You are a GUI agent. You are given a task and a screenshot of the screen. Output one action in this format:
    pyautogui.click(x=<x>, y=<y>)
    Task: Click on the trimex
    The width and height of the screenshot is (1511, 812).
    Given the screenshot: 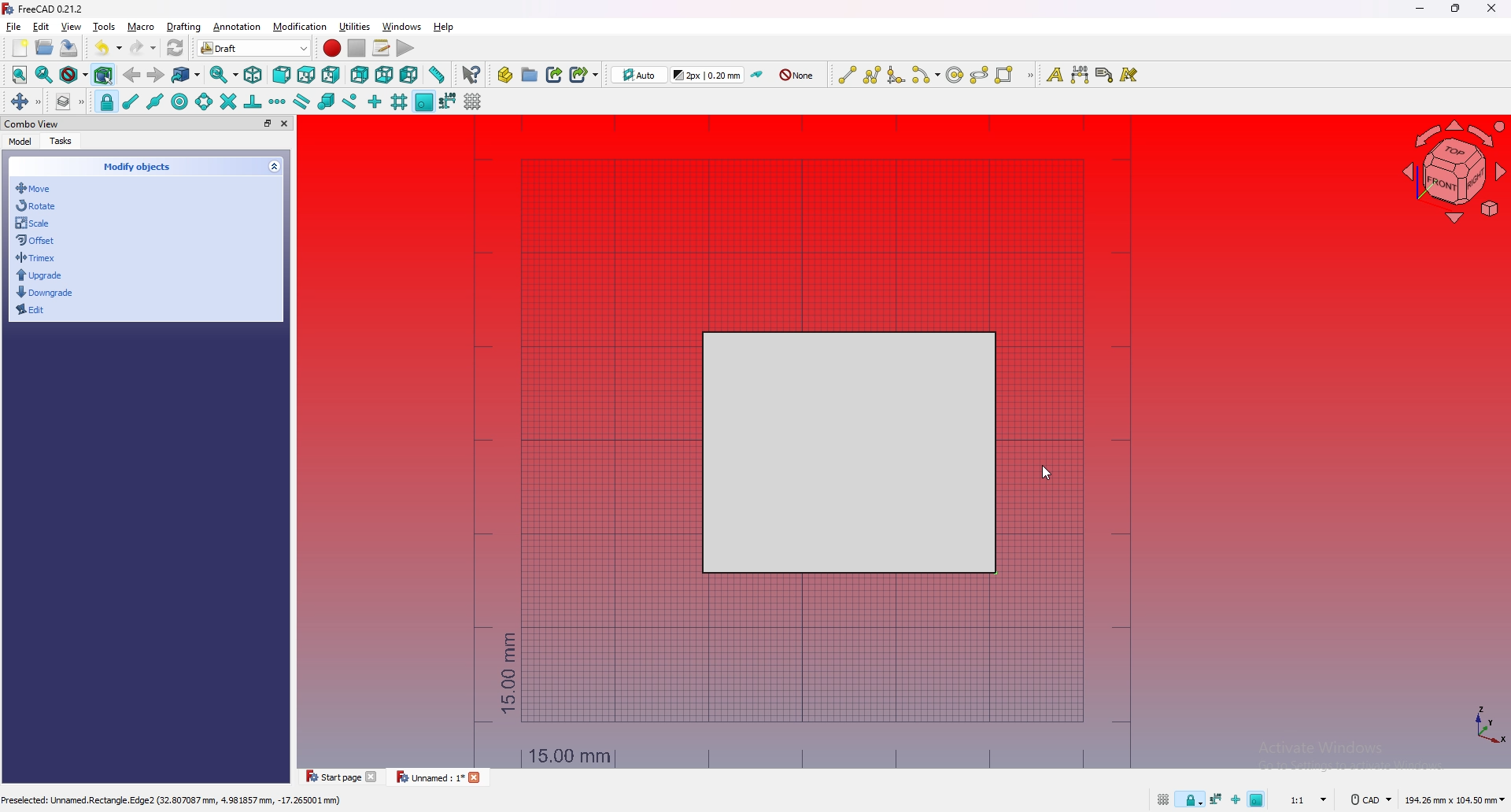 What is the action you would take?
    pyautogui.click(x=38, y=258)
    